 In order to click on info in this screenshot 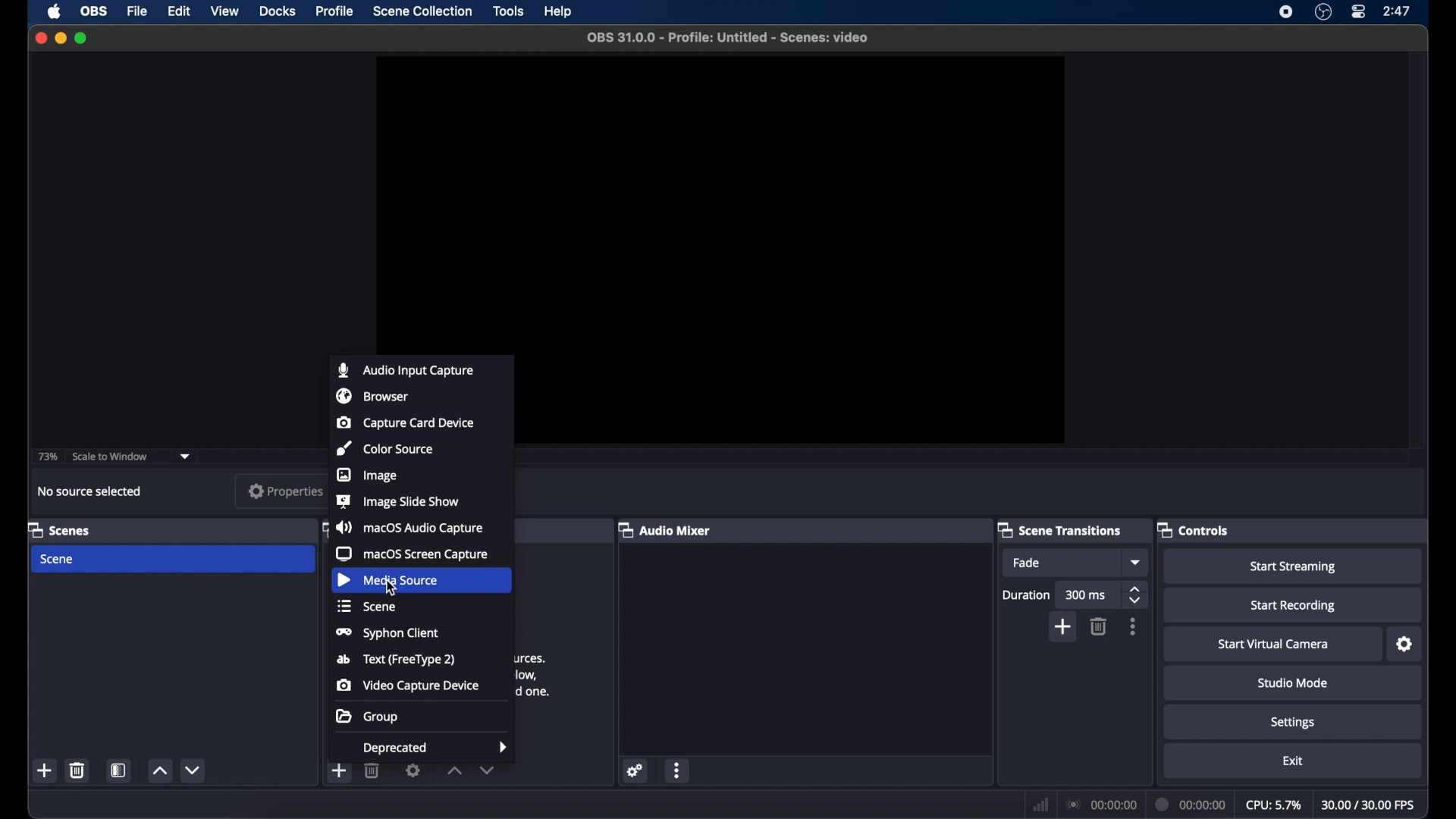, I will do `click(536, 675)`.